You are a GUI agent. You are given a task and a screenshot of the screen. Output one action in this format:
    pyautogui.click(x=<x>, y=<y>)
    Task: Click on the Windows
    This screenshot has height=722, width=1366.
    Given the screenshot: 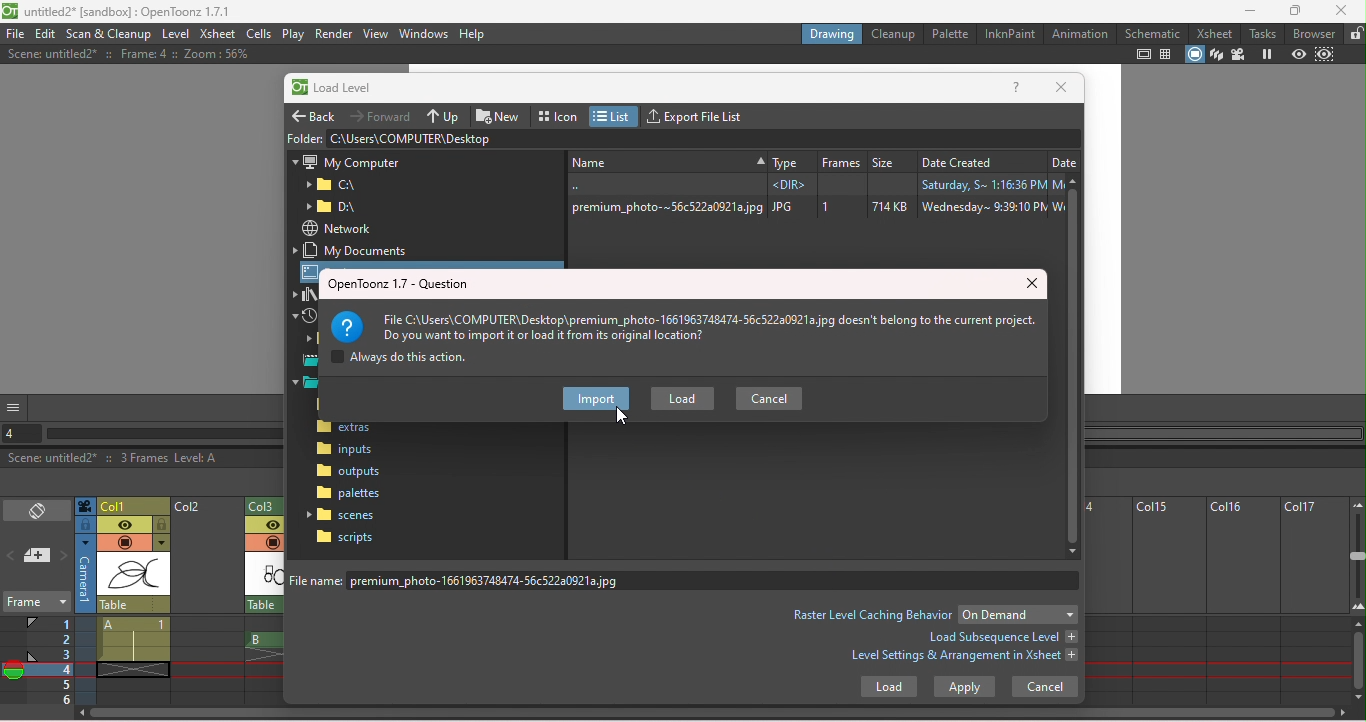 What is the action you would take?
    pyautogui.click(x=424, y=32)
    